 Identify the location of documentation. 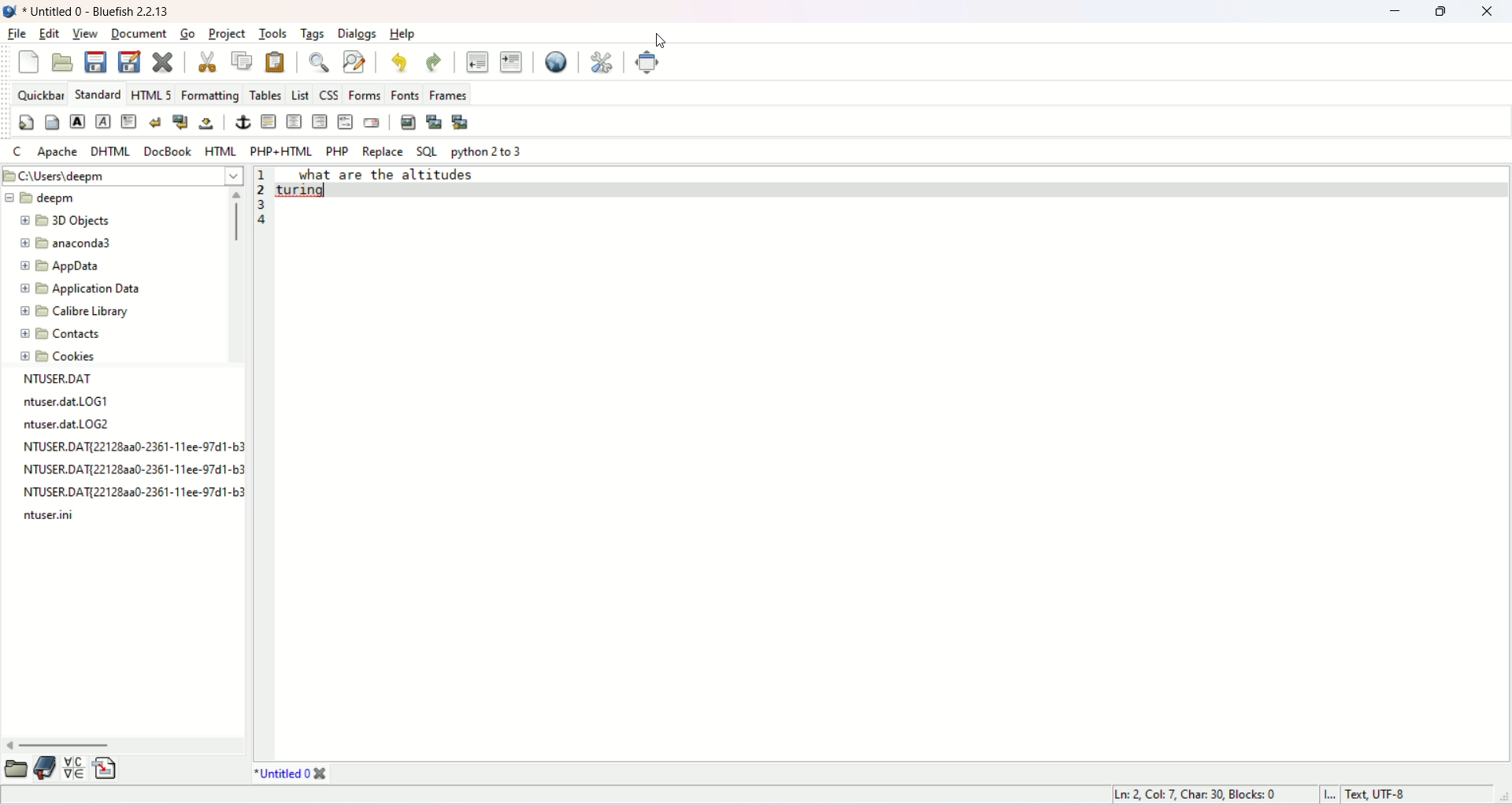
(43, 769).